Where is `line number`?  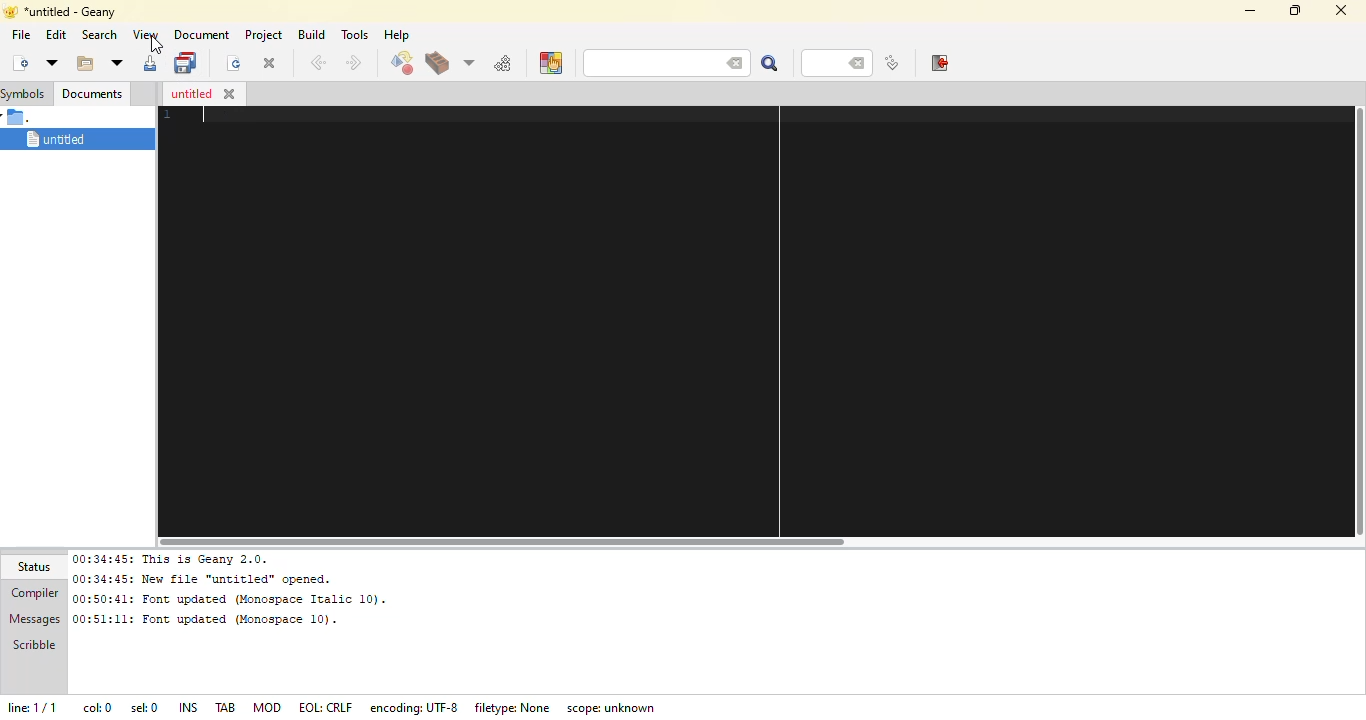 line number is located at coordinates (826, 63).